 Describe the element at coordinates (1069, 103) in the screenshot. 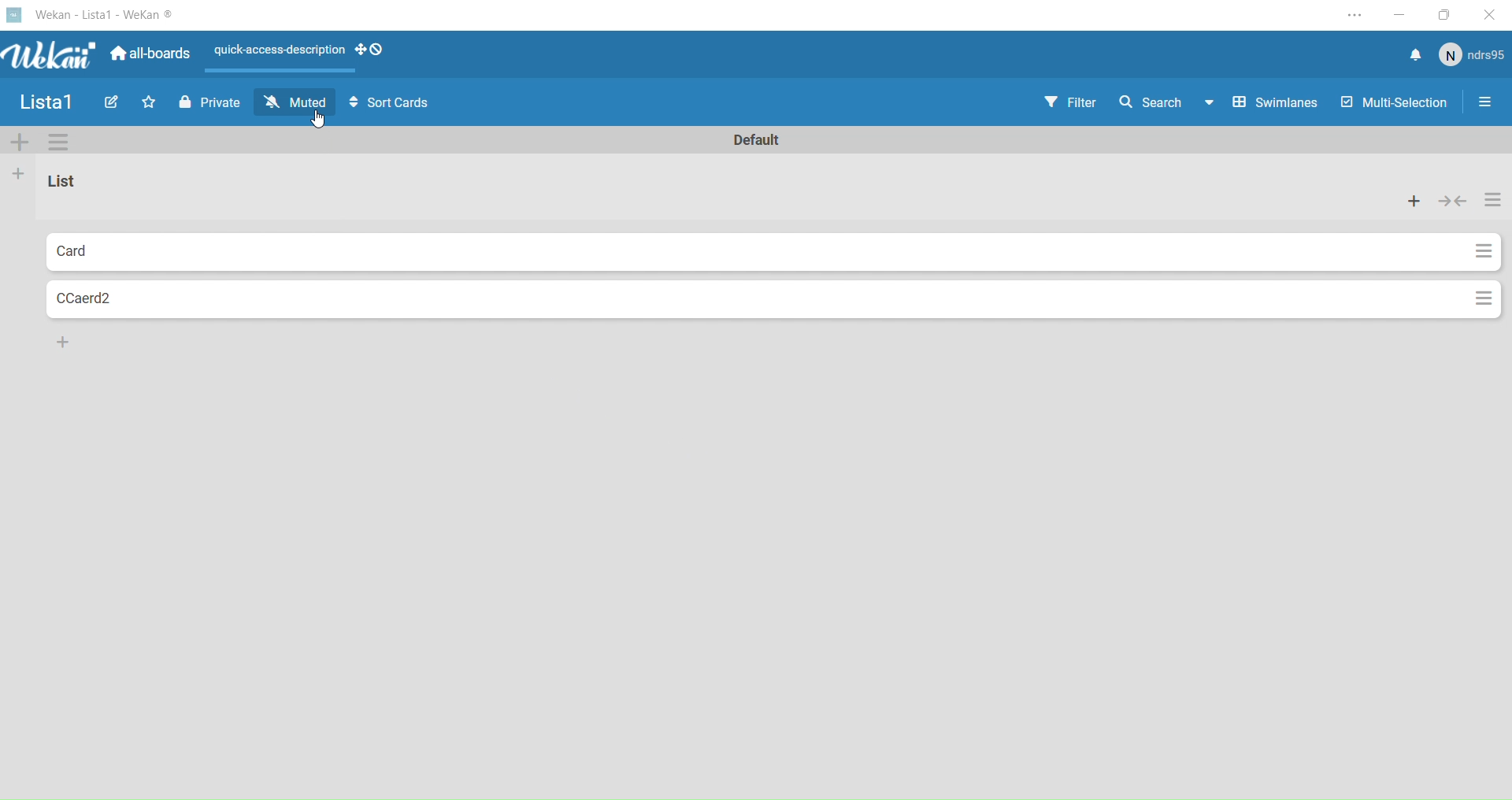

I see `Filter` at that location.